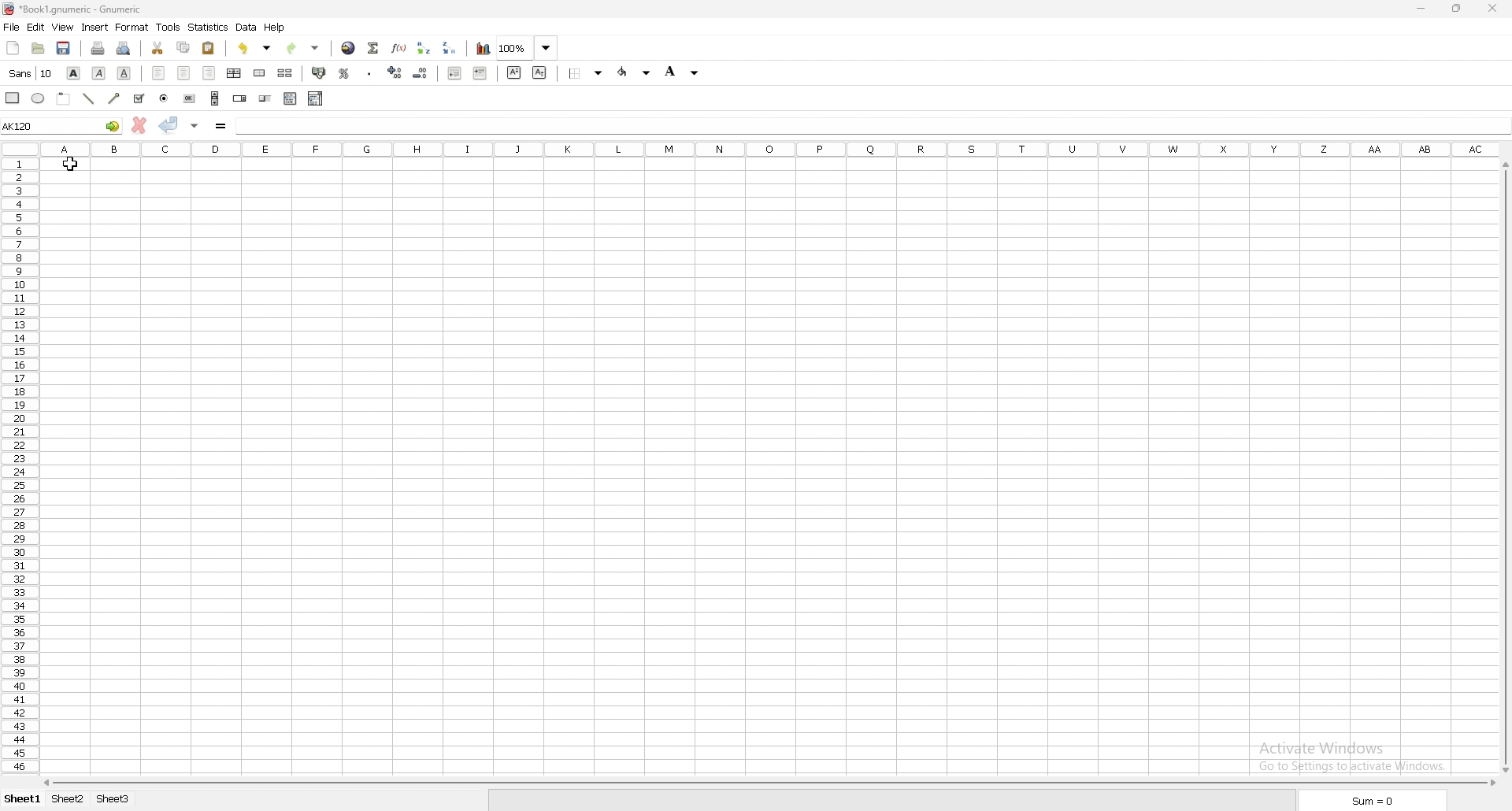 The height and width of the screenshot is (811, 1512). Describe the element at coordinates (32, 72) in the screenshot. I see `font` at that location.